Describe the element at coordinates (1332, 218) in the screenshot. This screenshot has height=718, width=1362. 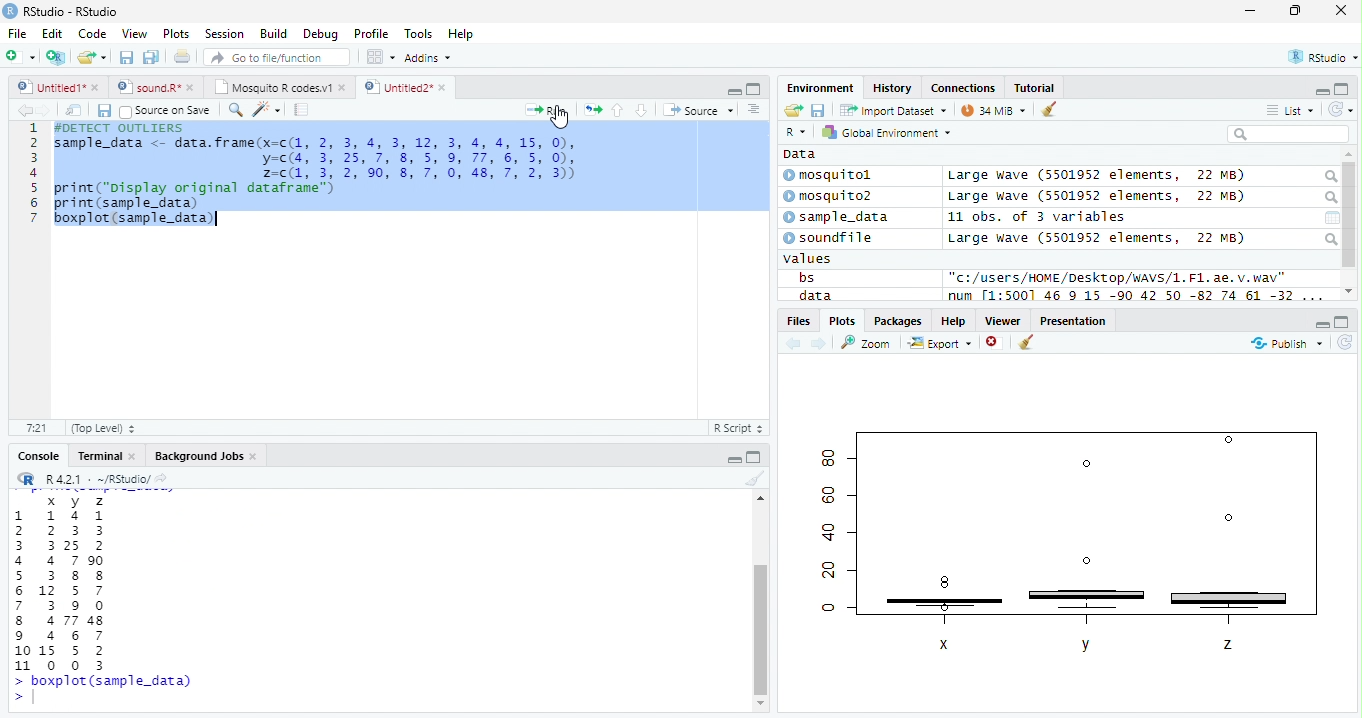
I see `Calendar` at that location.